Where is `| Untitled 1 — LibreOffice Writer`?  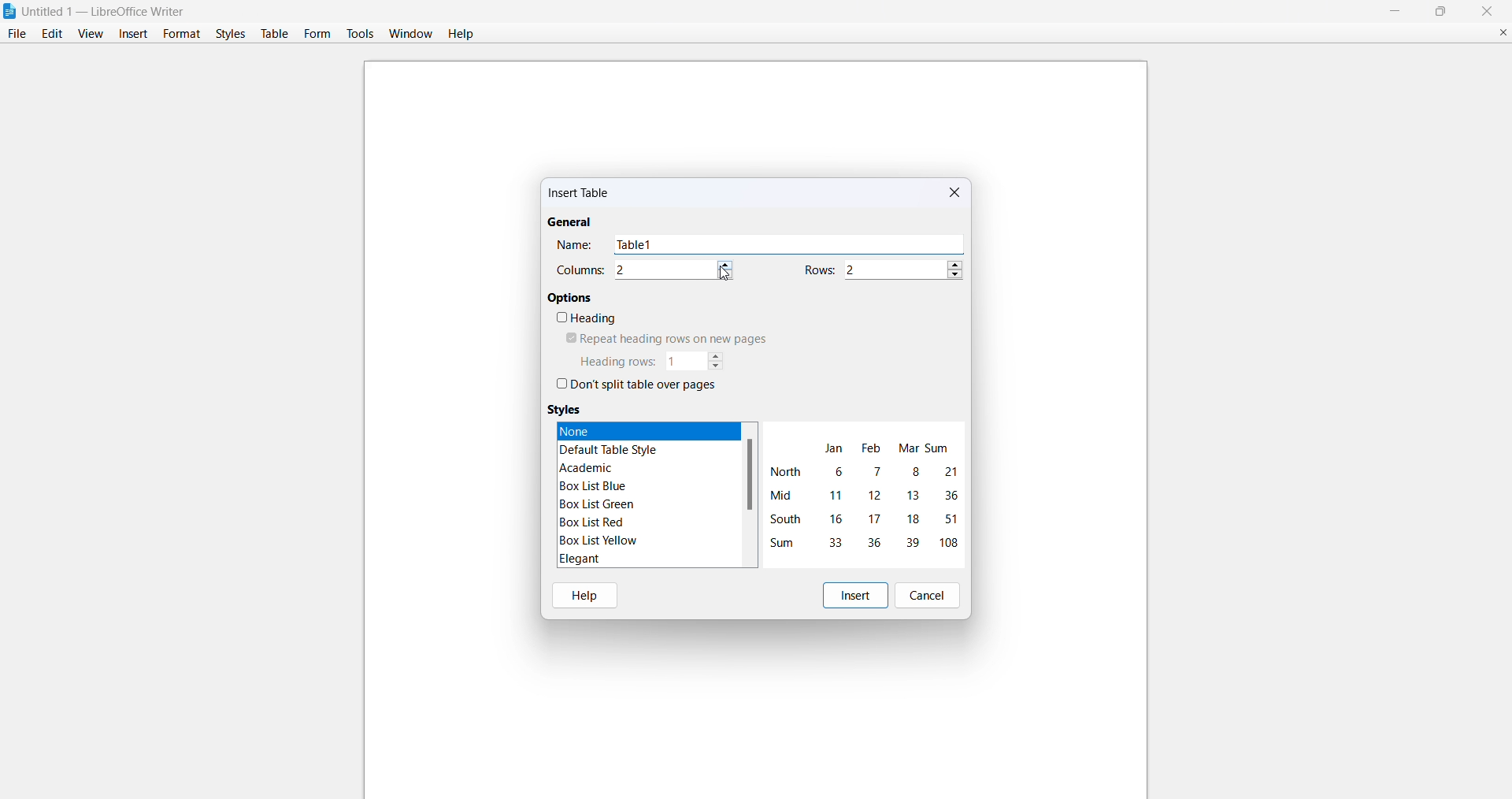
| Untitled 1 — LibreOffice Writer is located at coordinates (106, 10).